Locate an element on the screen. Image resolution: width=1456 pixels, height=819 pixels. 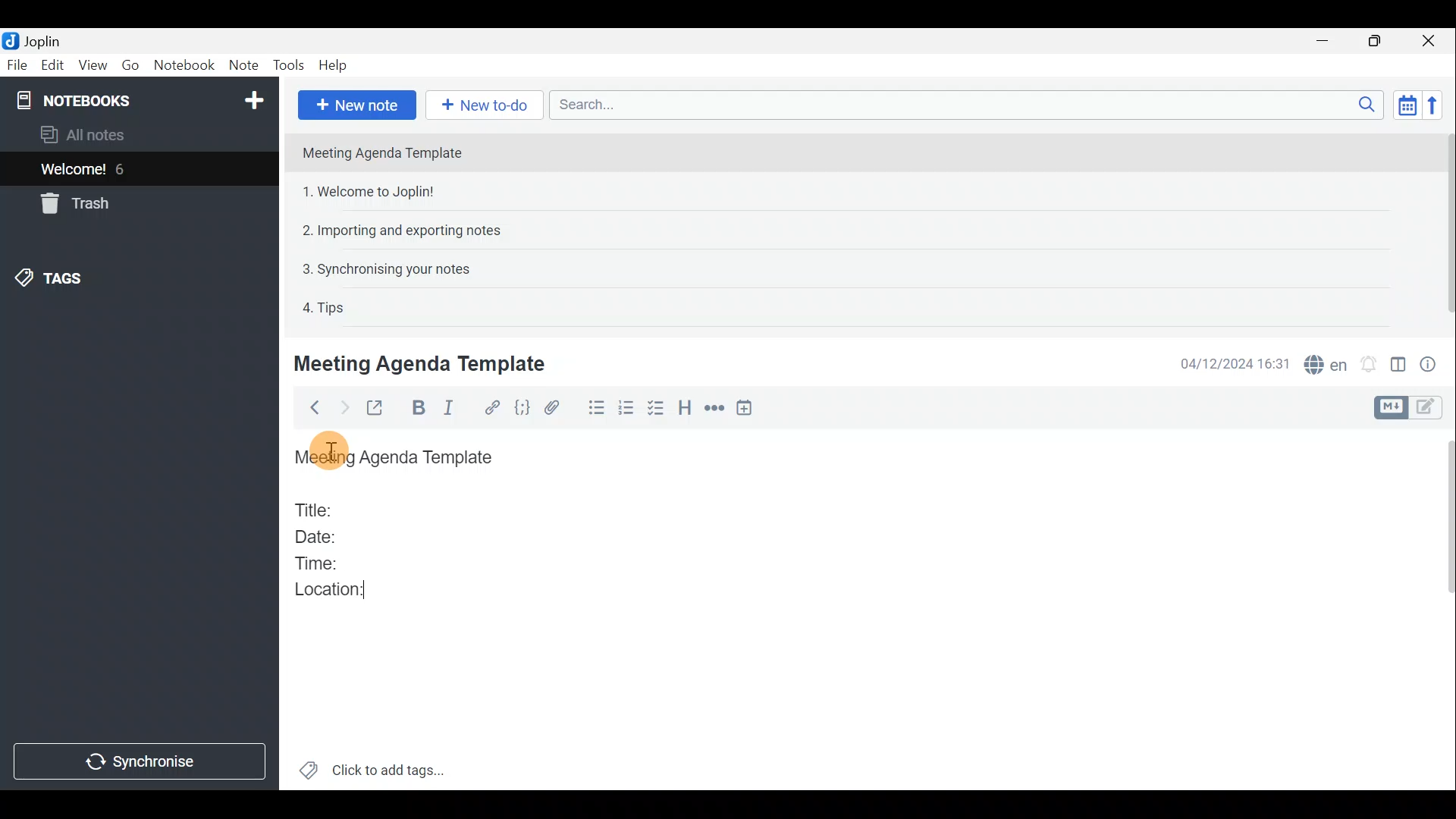
Attach file is located at coordinates (559, 408).